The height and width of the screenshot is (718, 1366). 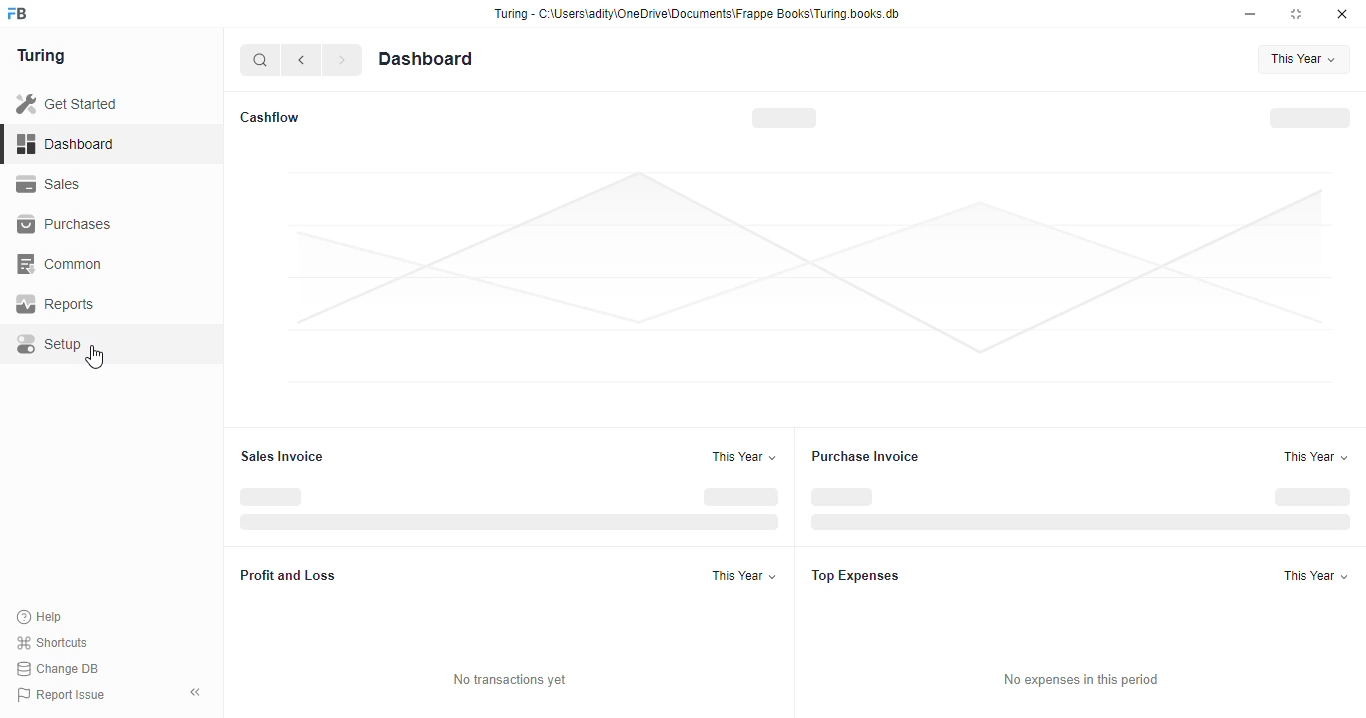 I want to click on Purchases, so click(x=64, y=224).